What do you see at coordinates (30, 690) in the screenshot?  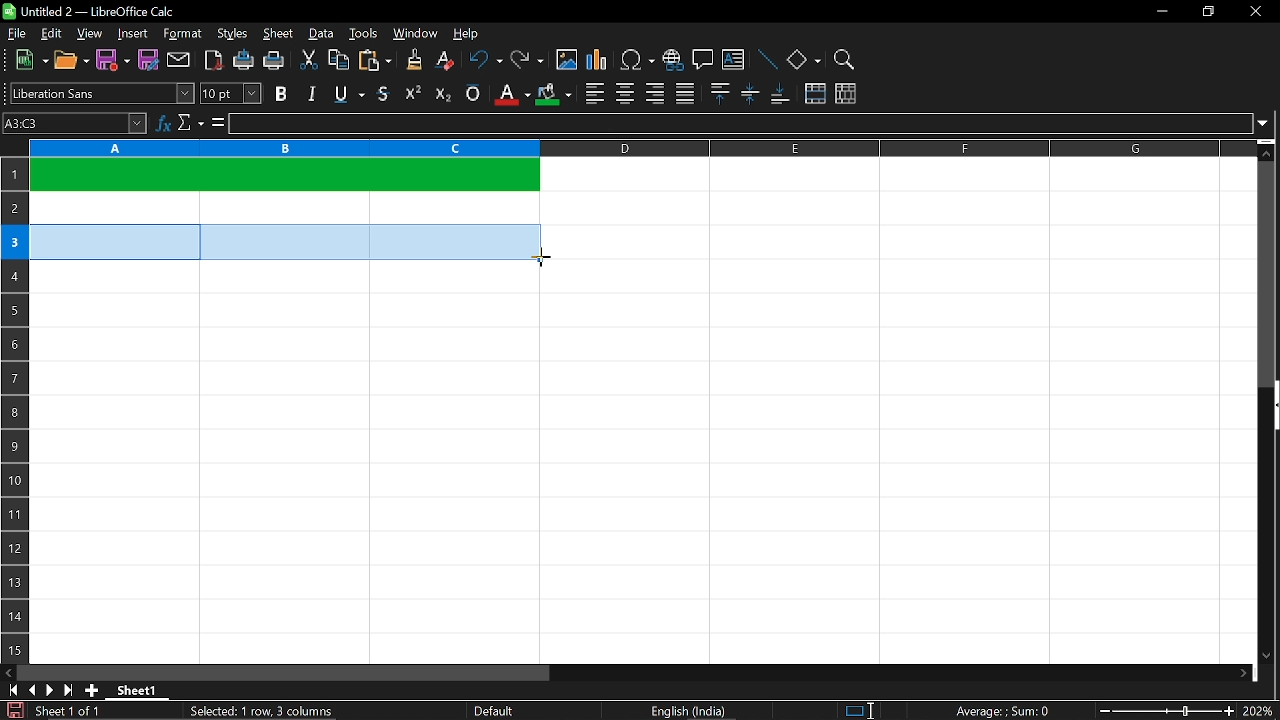 I see `previous sheet` at bounding box center [30, 690].